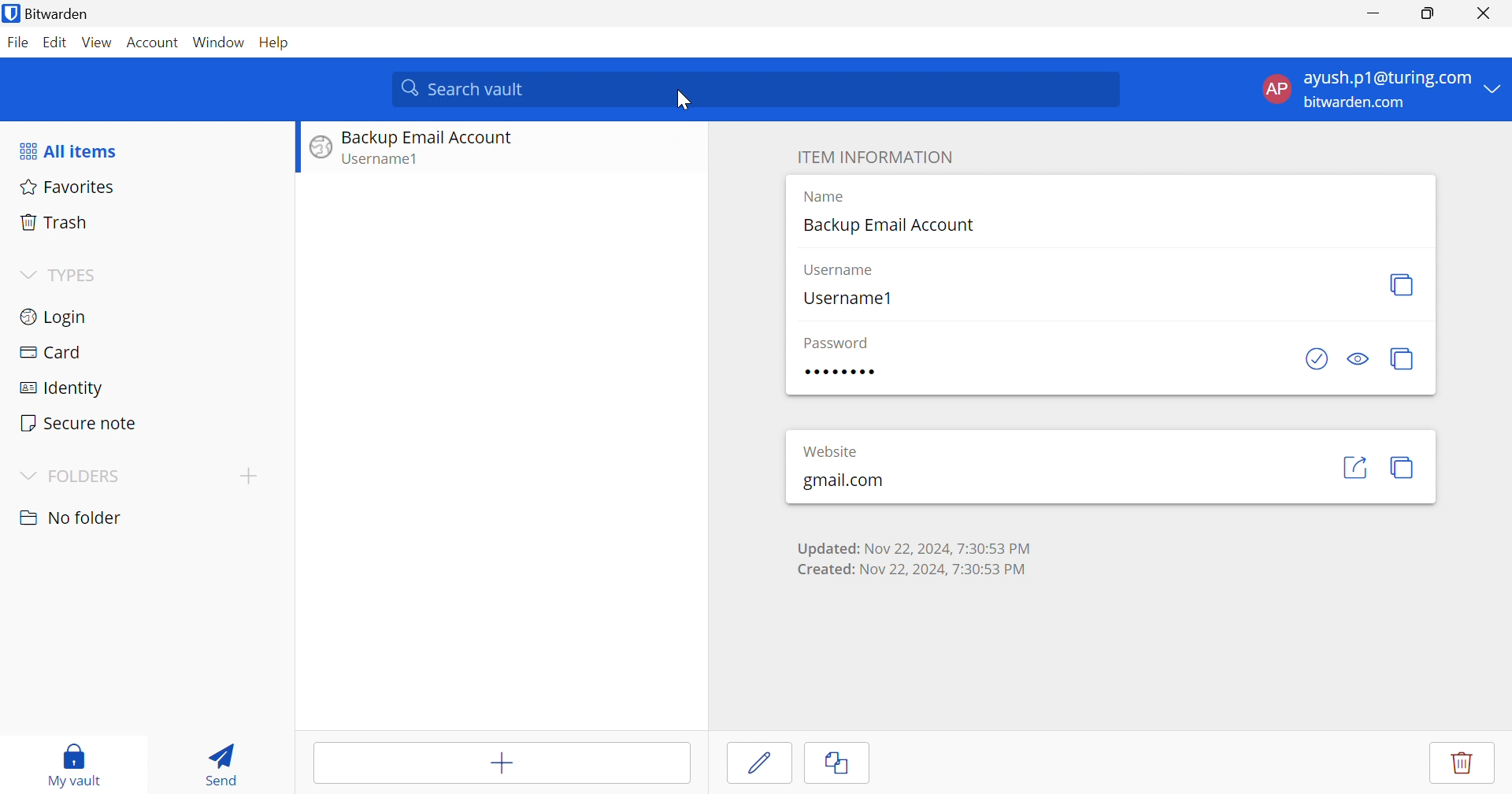  What do you see at coordinates (841, 762) in the screenshot?
I see `Cancel` at bounding box center [841, 762].